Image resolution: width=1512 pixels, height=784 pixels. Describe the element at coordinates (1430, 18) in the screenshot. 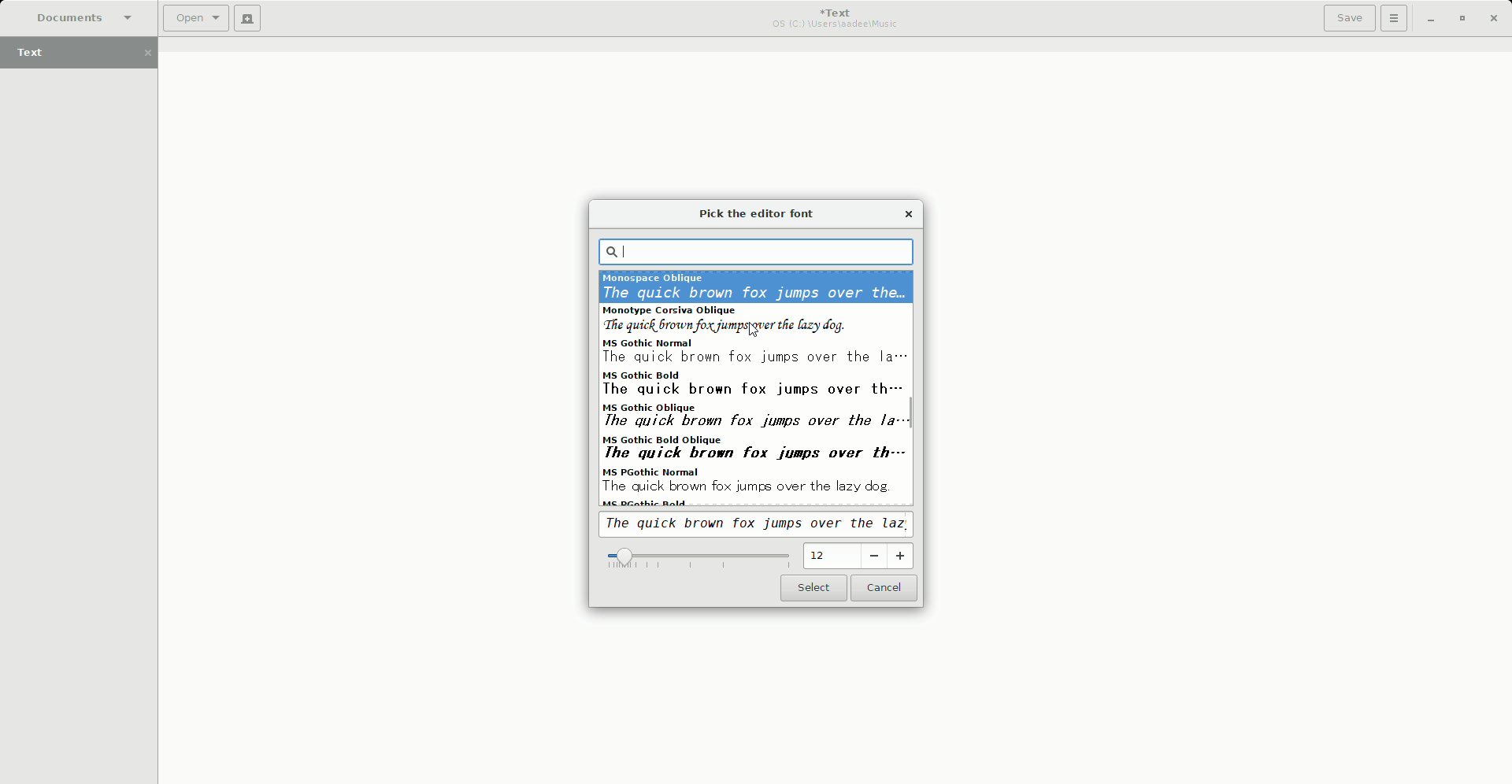

I see `Minimize` at that location.